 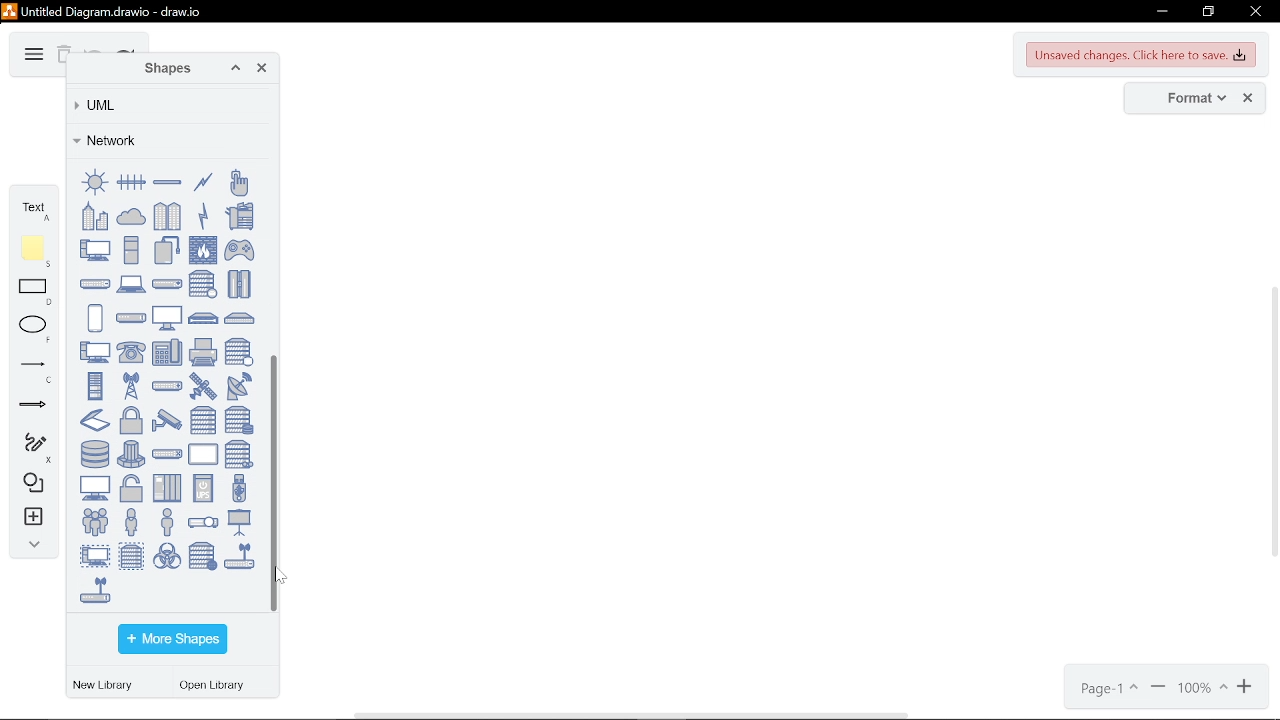 What do you see at coordinates (203, 250) in the screenshot?
I see `firewall` at bounding box center [203, 250].